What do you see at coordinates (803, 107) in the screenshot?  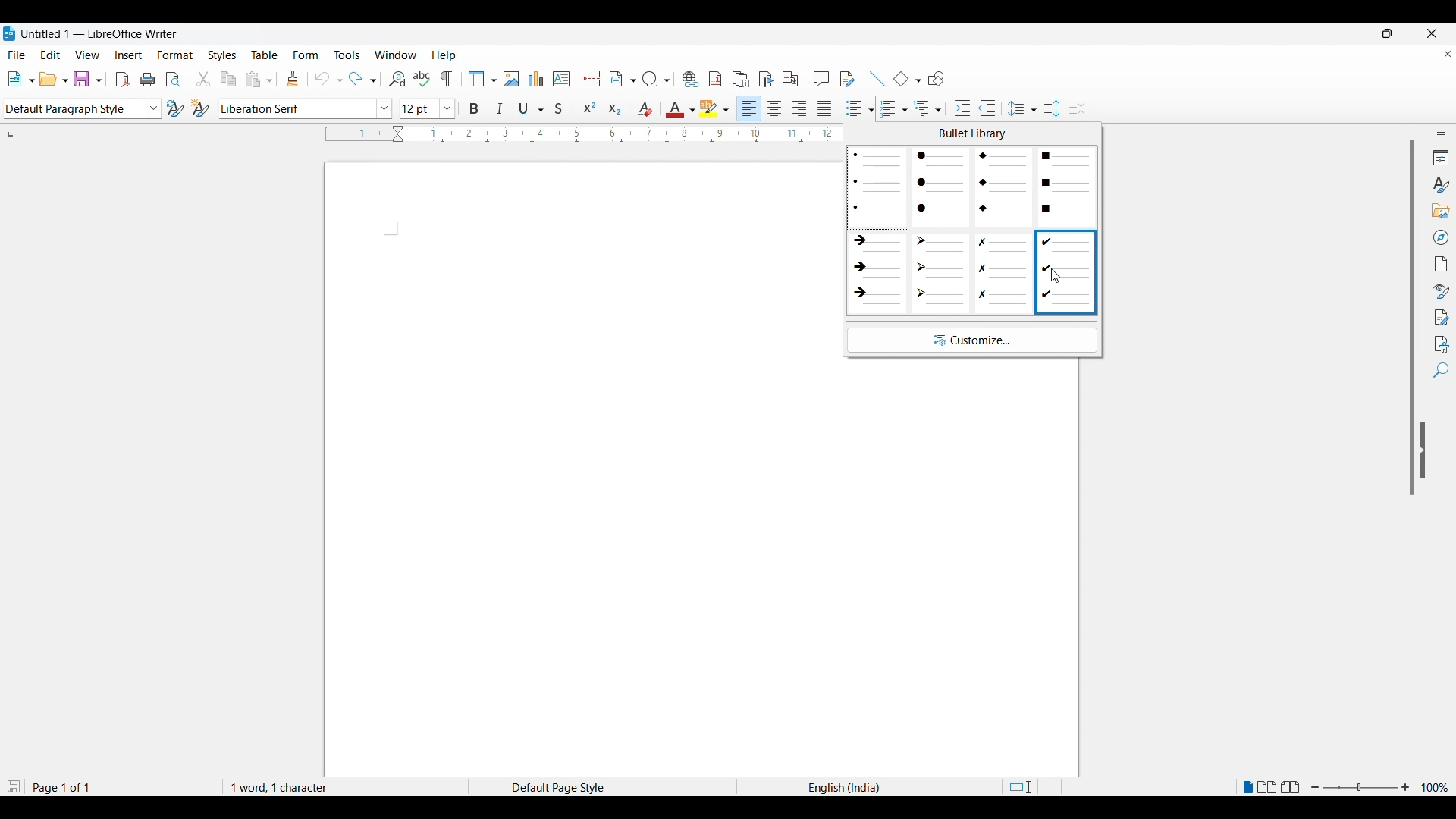 I see `align right` at bounding box center [803, 107].